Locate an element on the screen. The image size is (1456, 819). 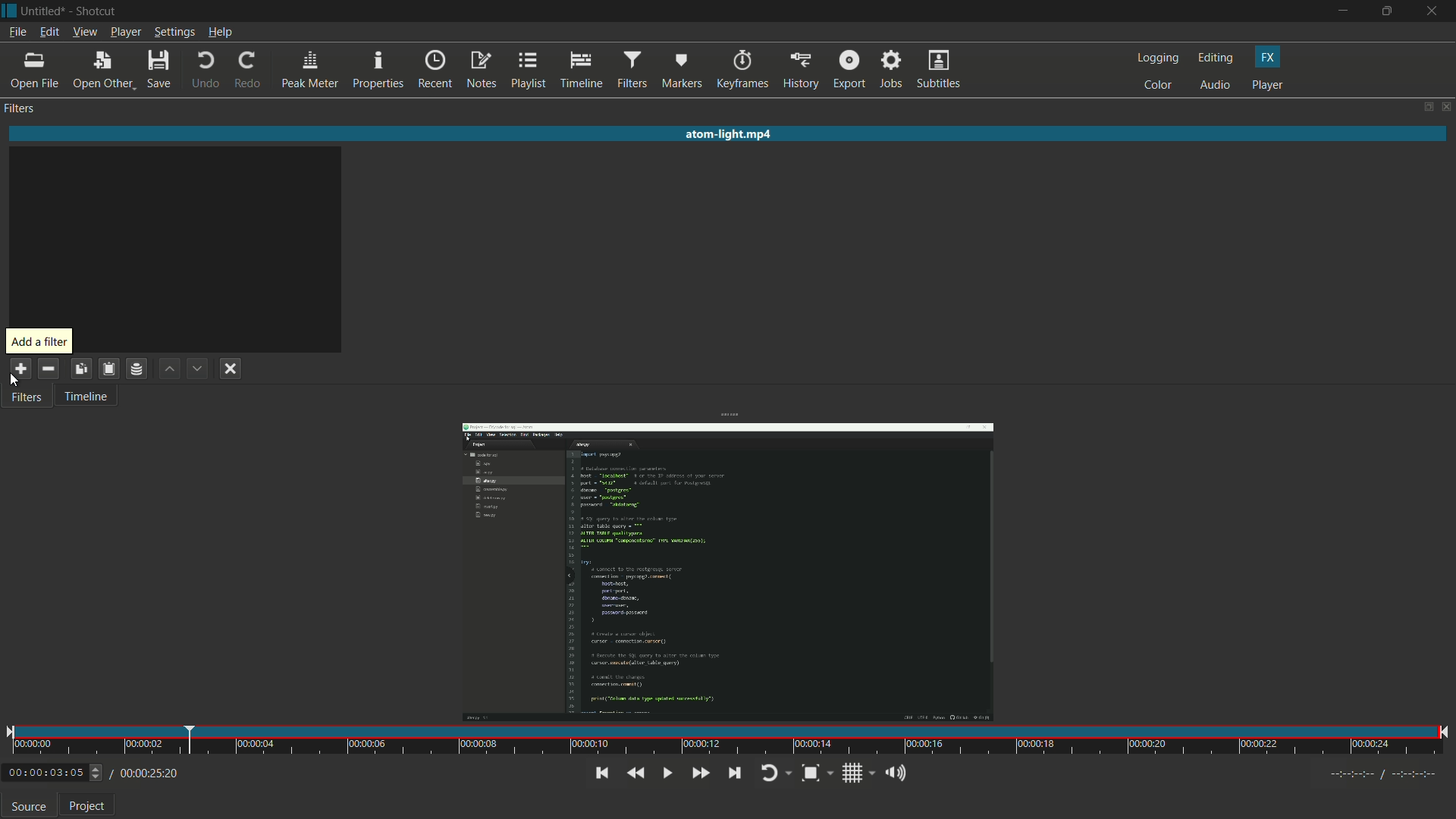
copy checked filters is located at coordinates (83, 369).